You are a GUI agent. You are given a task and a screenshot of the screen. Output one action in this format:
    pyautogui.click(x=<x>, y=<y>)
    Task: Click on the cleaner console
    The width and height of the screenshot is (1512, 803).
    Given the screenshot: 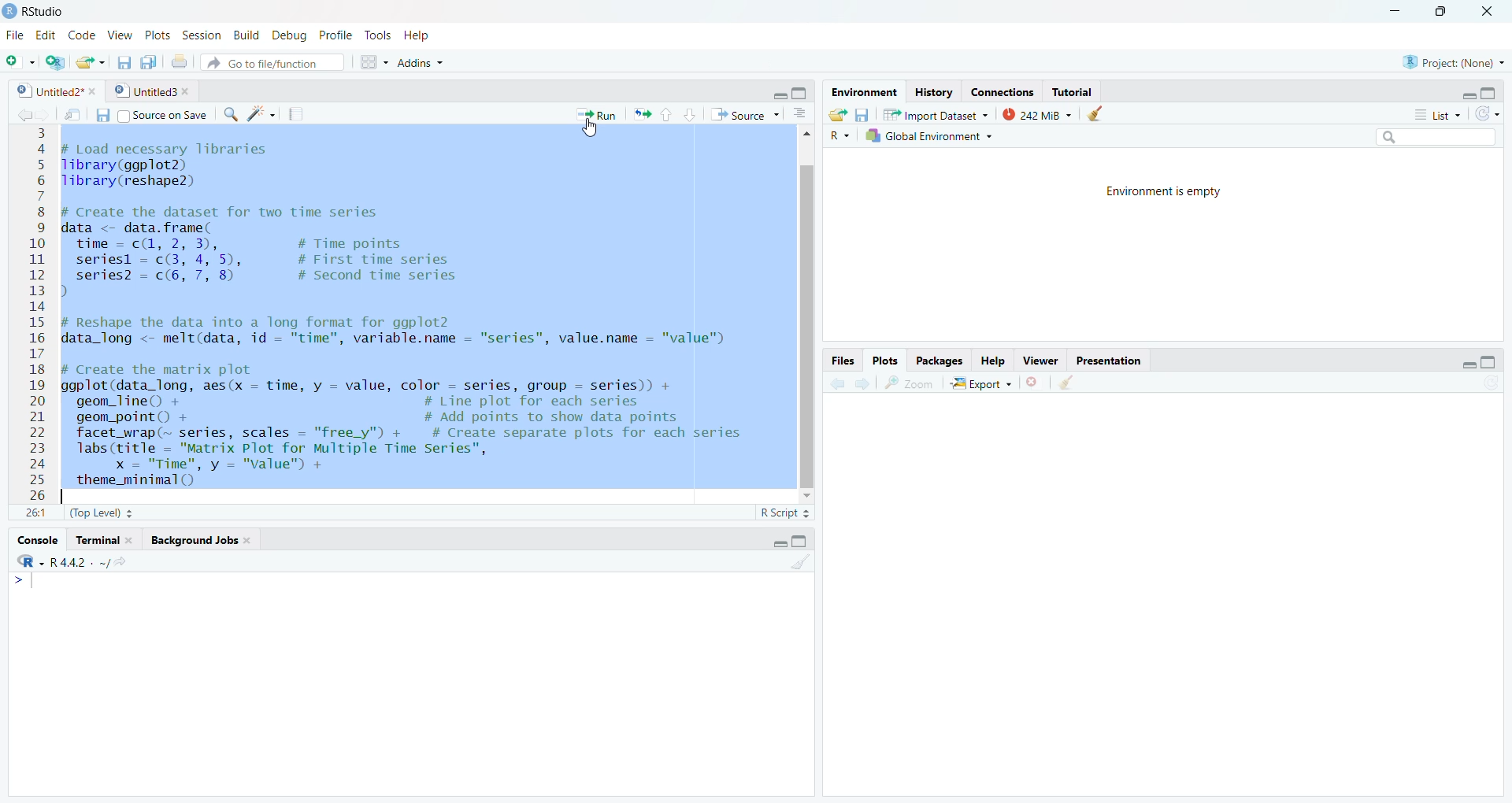 What is the action you would take?
    pyautogui.click(x=801, y=563)
    